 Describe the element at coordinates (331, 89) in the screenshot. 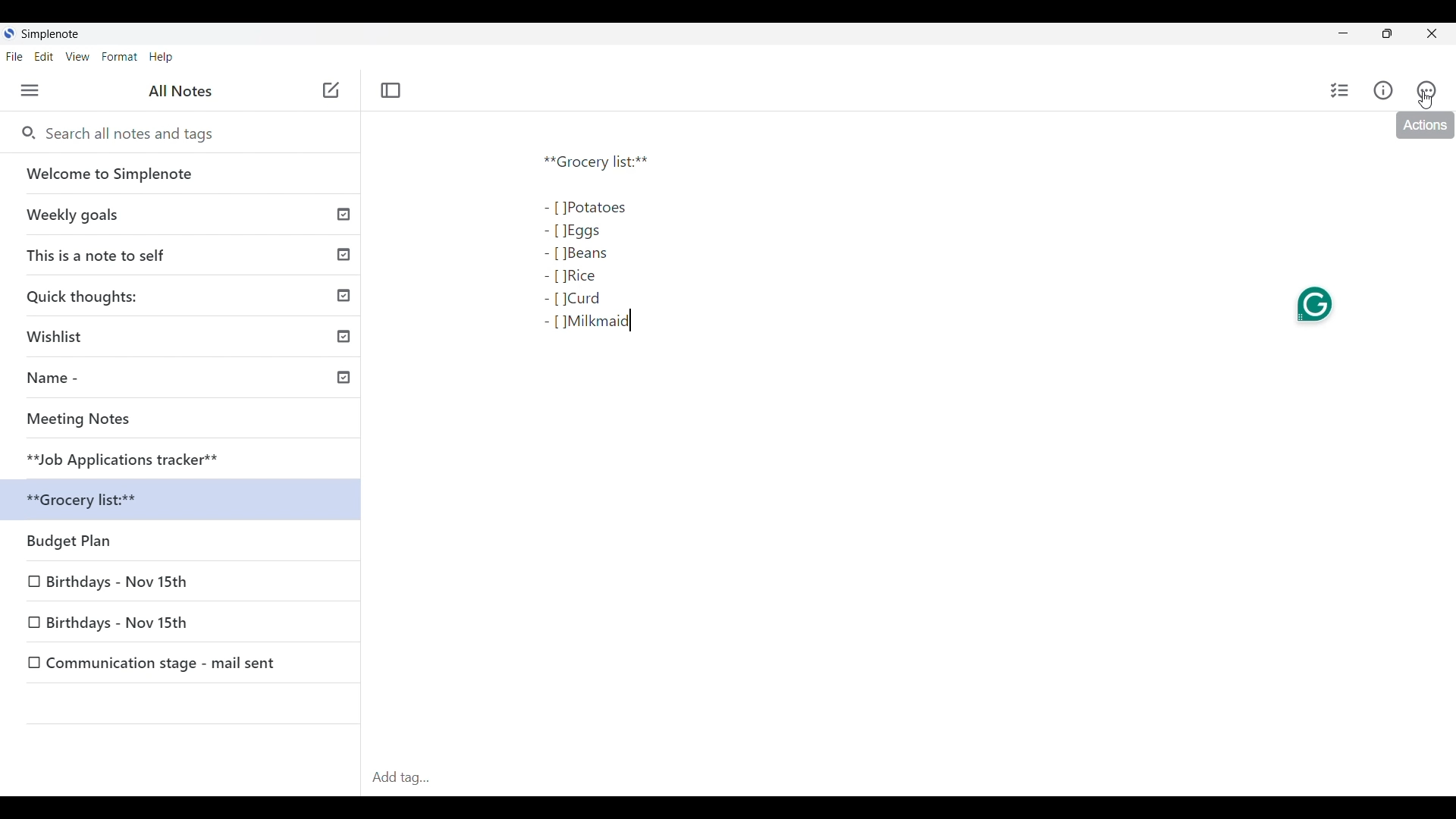

I see `Click to add note` at that location.